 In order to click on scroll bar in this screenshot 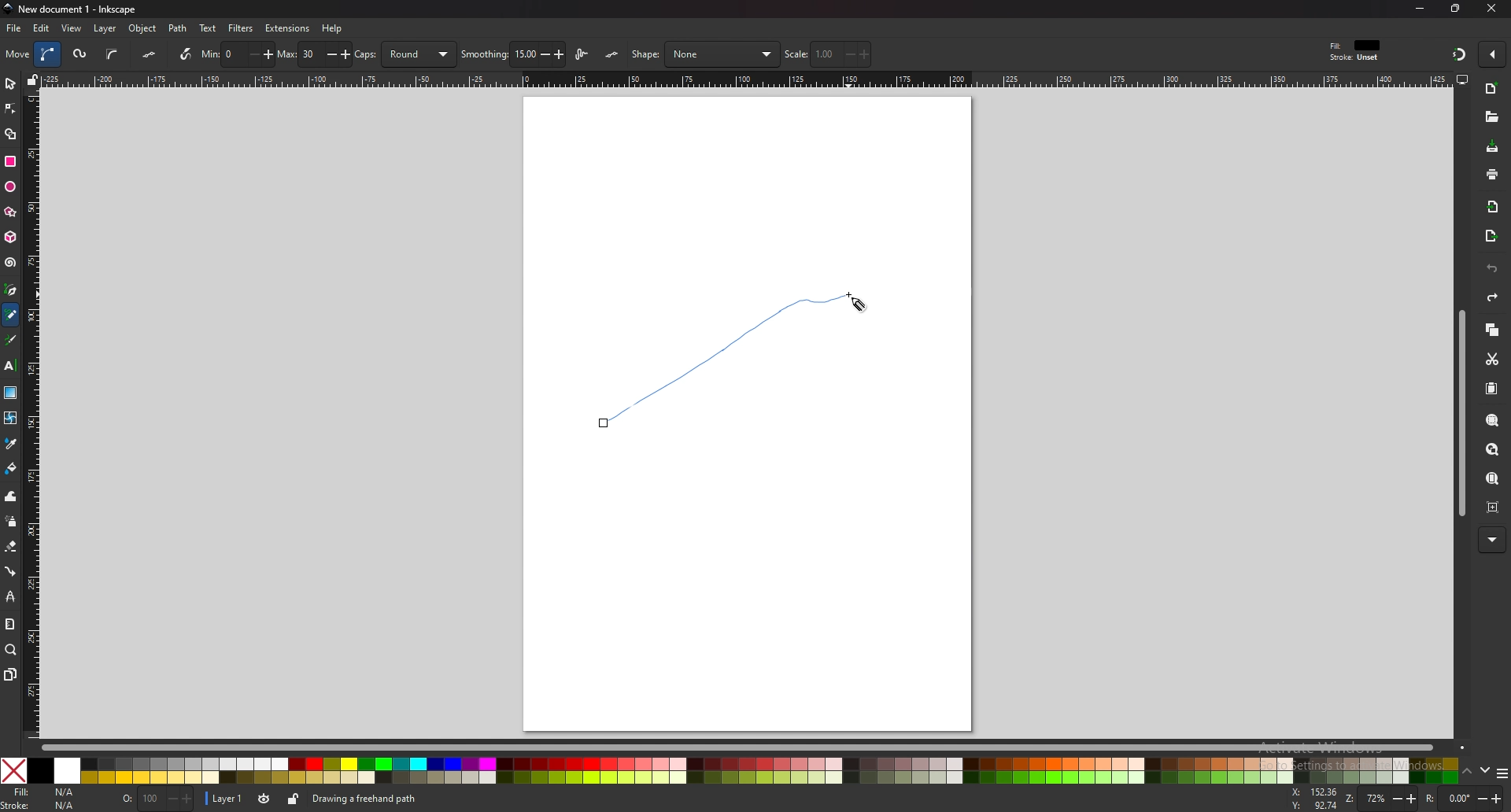, I will do `click(753, 749)`.